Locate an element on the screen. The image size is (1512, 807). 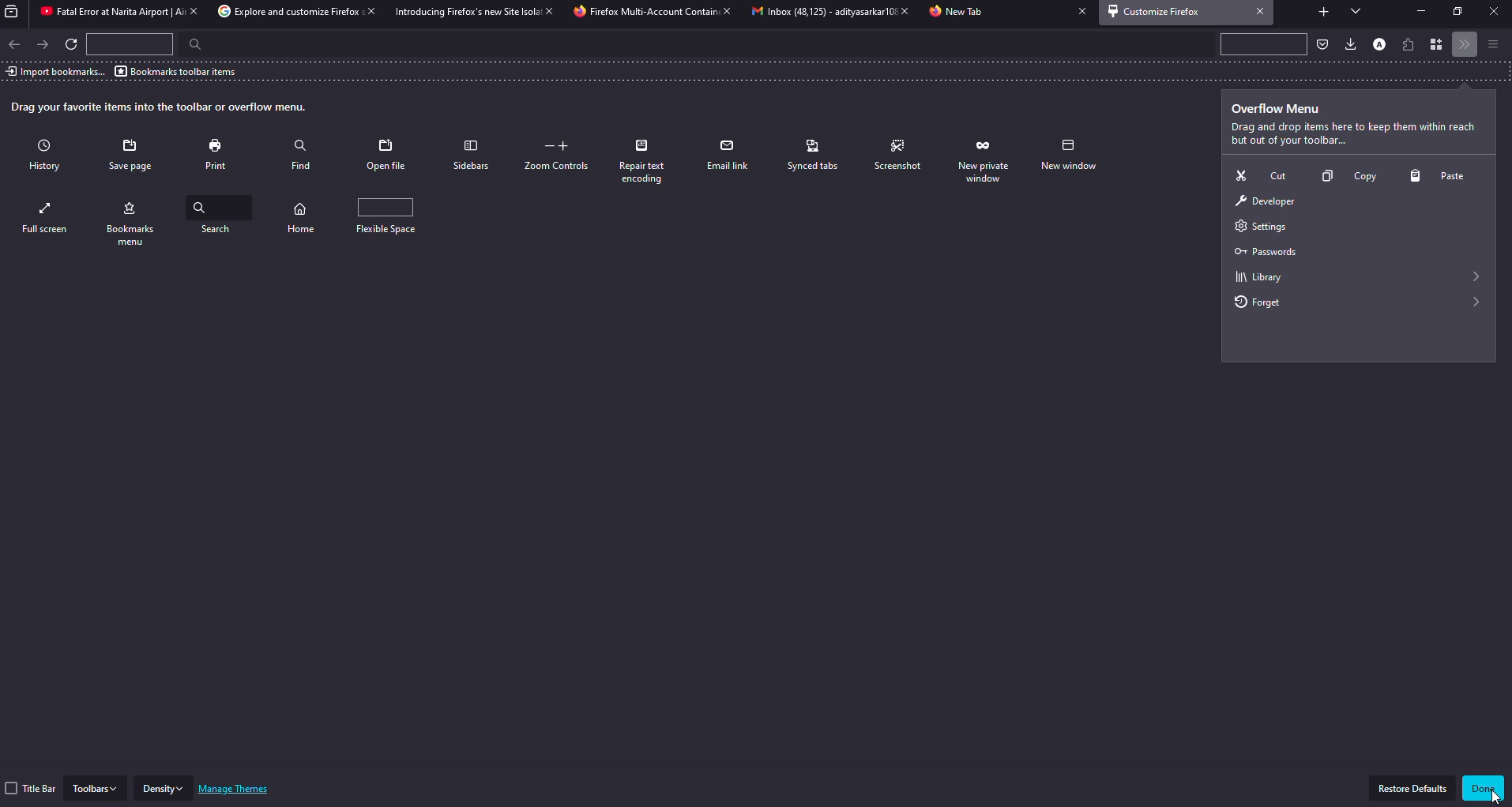
tab is located at coordinates (104, 13).